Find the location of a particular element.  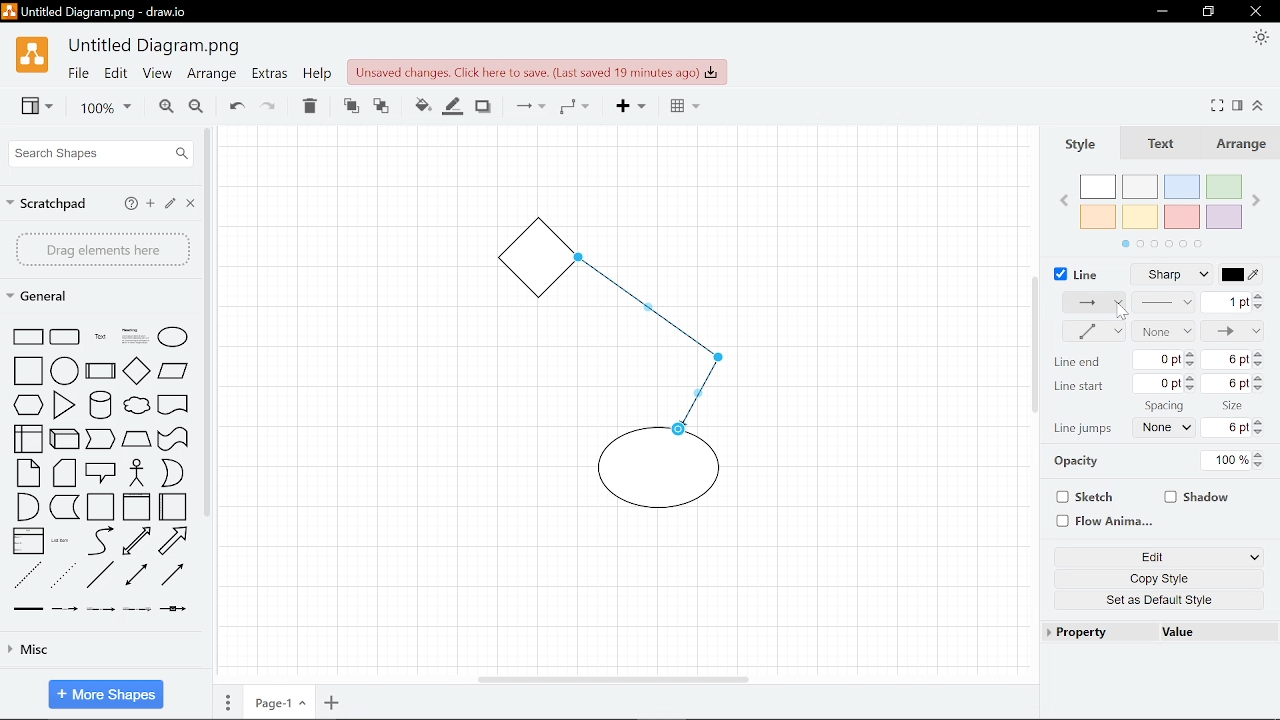

Shadow is located at coordinates (1198, 495).